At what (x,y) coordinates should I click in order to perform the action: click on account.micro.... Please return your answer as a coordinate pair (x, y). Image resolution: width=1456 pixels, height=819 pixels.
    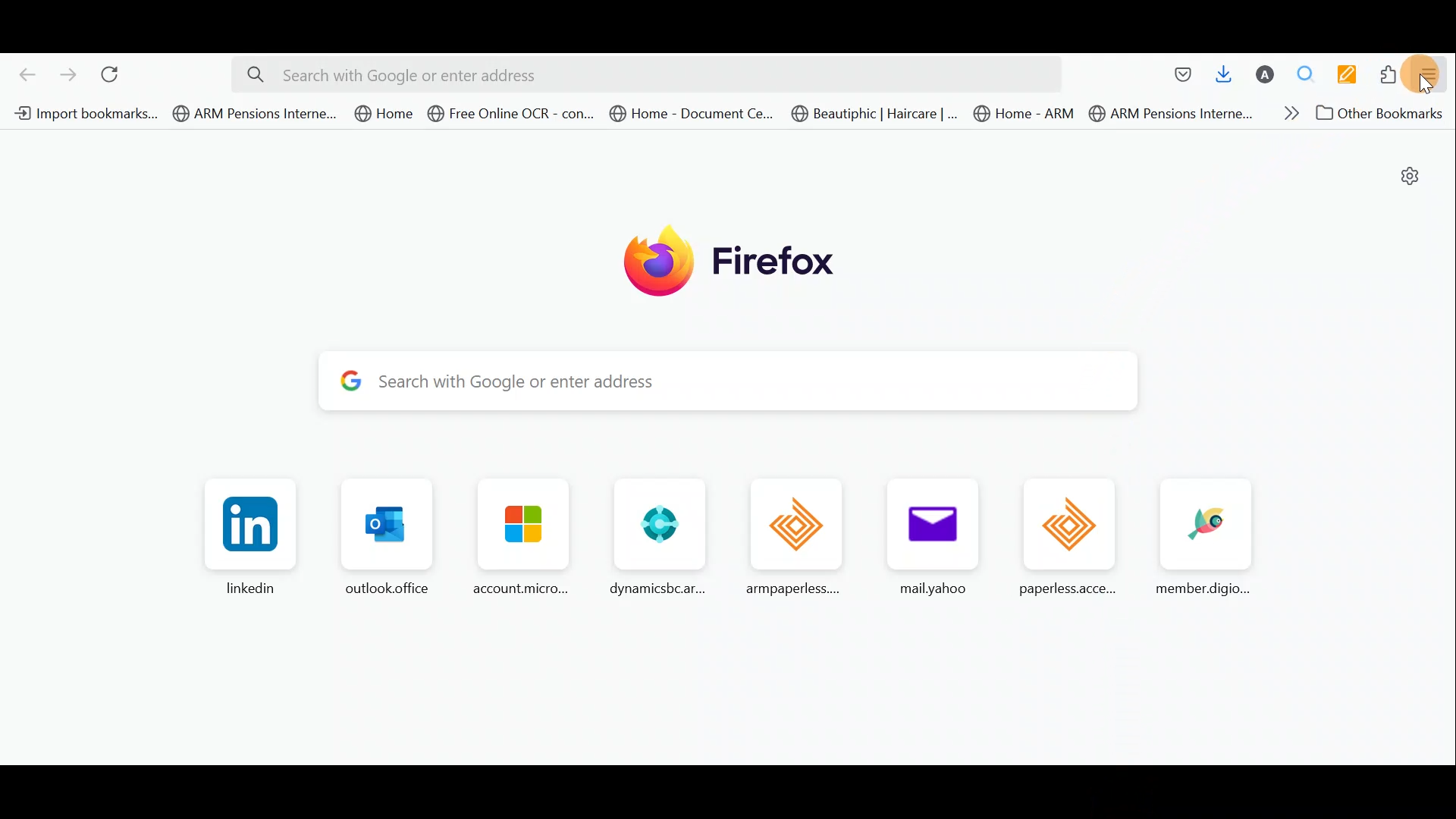
    Looking at the image, I should click on (515, 540).